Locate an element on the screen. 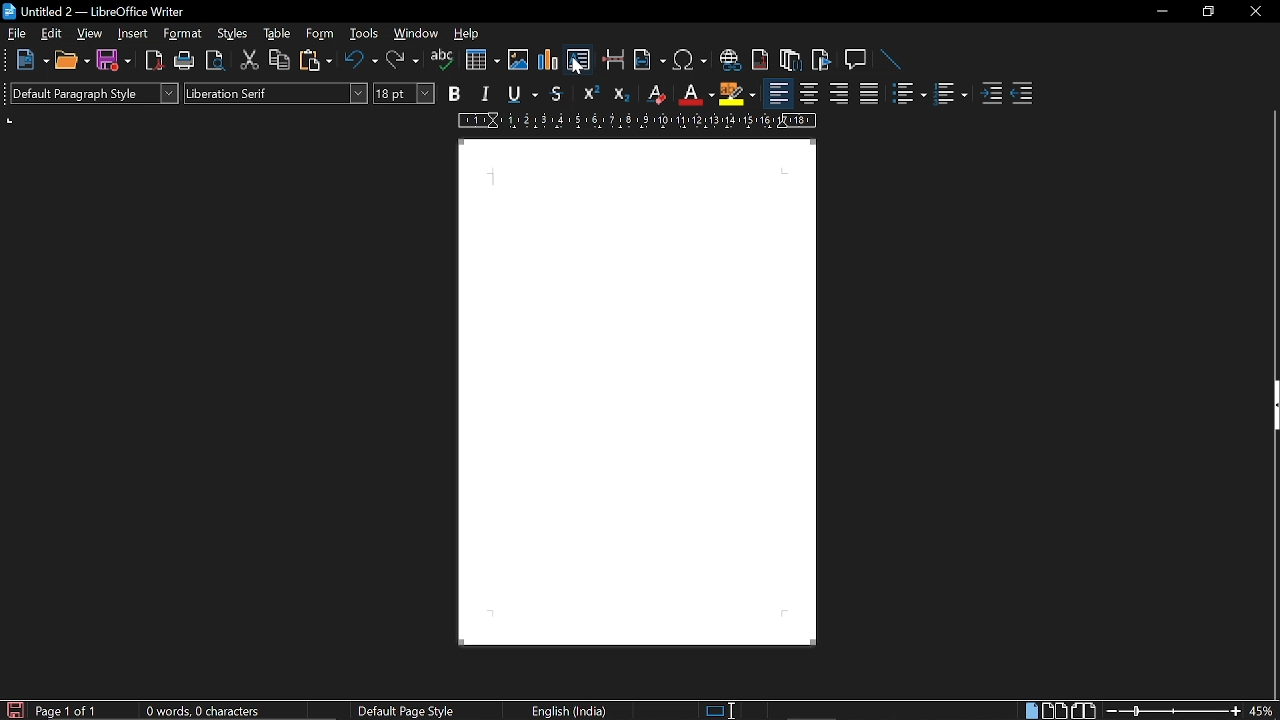 This screenshot has width=1280, height=720. insert image is located at coordinates (518, 62).